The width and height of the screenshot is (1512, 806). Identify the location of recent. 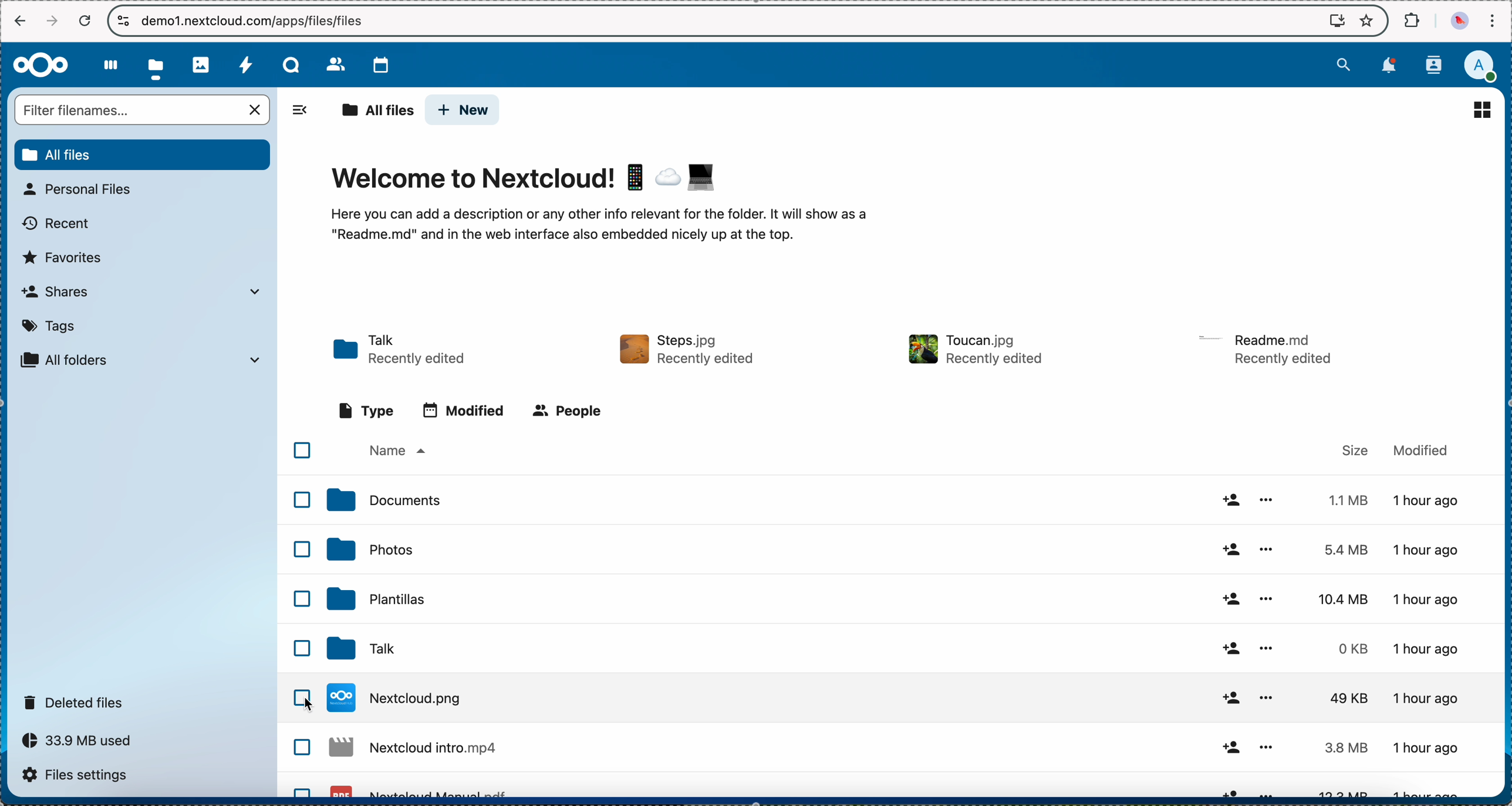
(54, 226).